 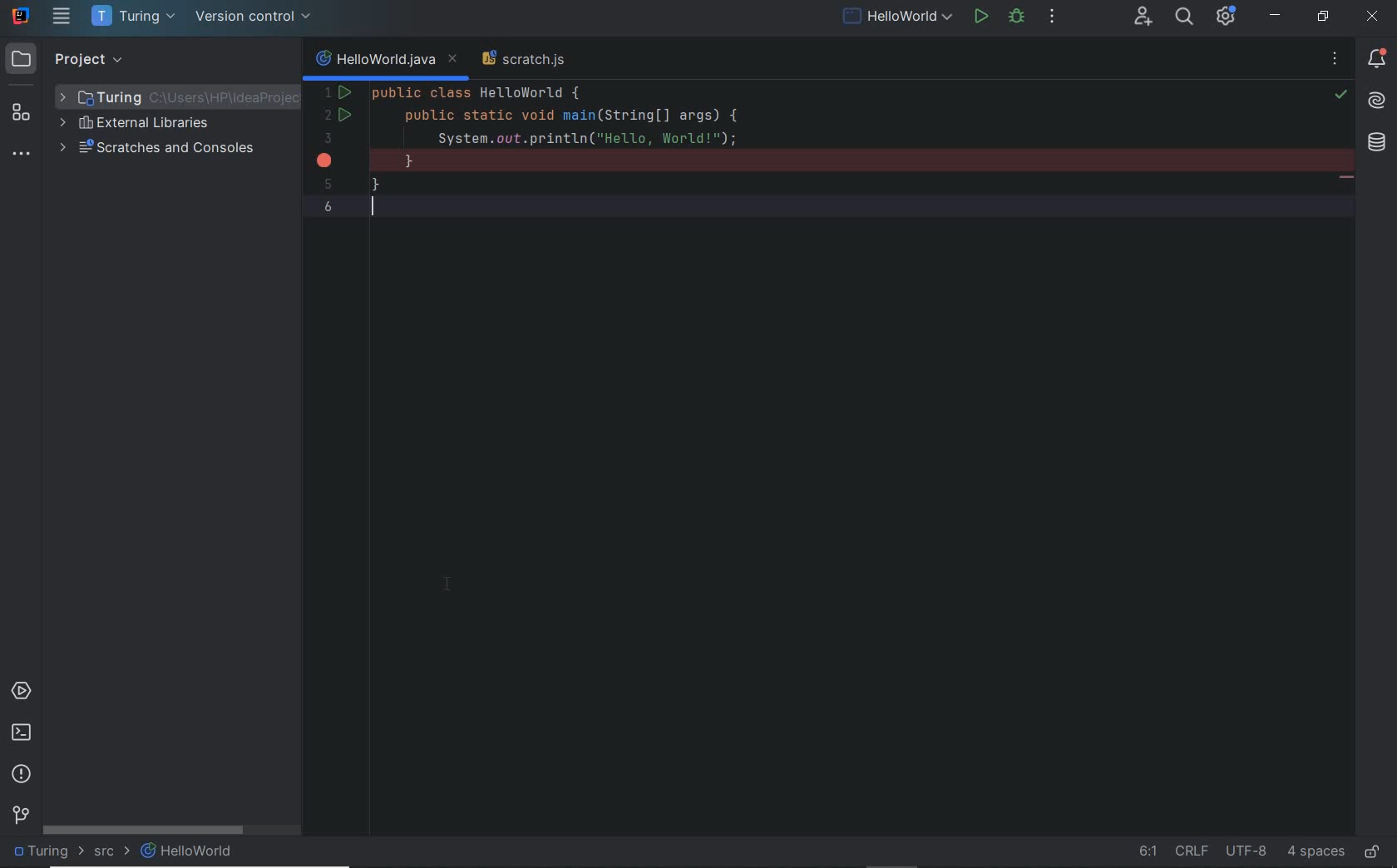 I want to click on version control, so click(x=254, y=18).